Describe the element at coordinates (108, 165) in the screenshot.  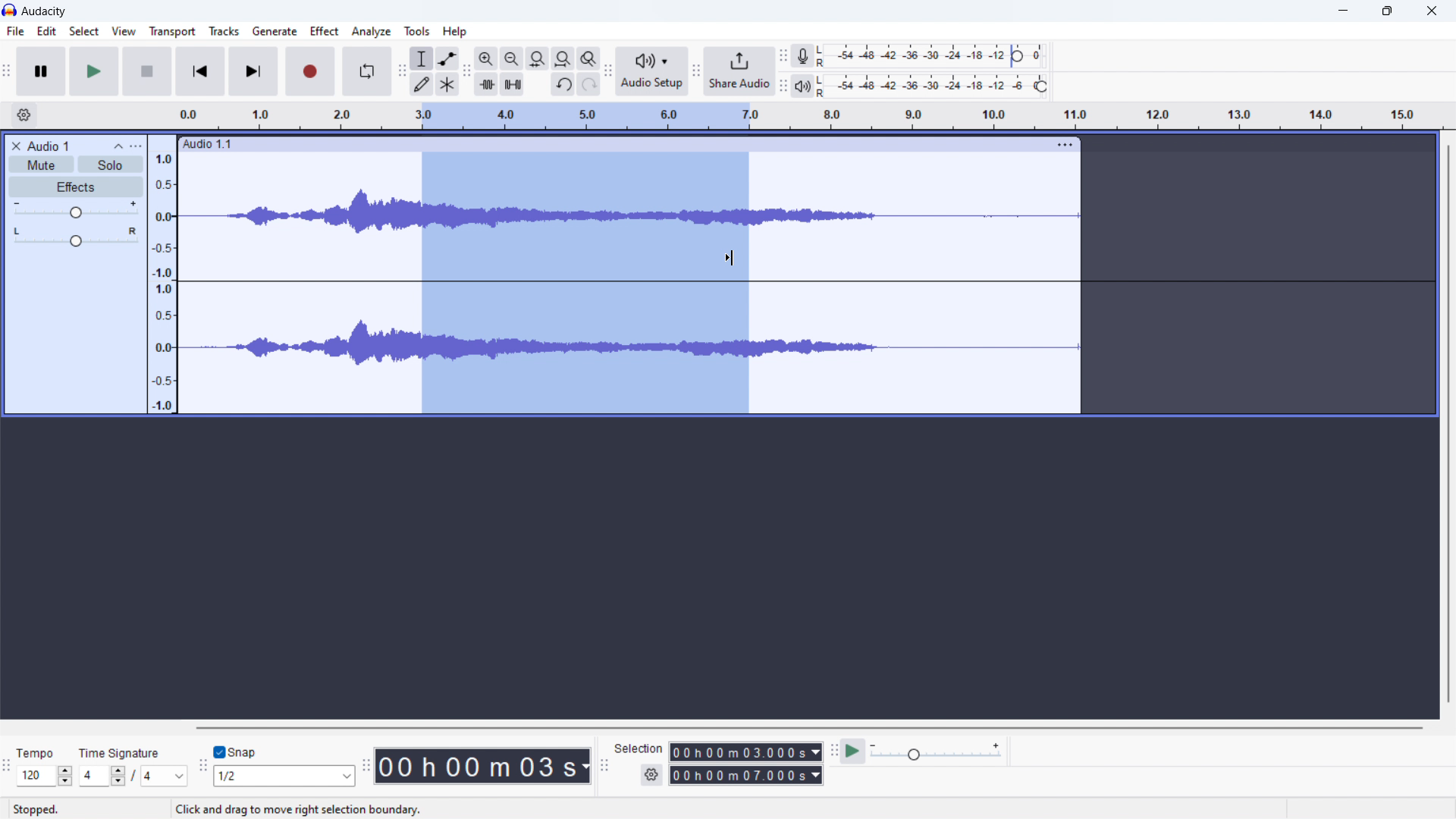
I see `solo` at that location.